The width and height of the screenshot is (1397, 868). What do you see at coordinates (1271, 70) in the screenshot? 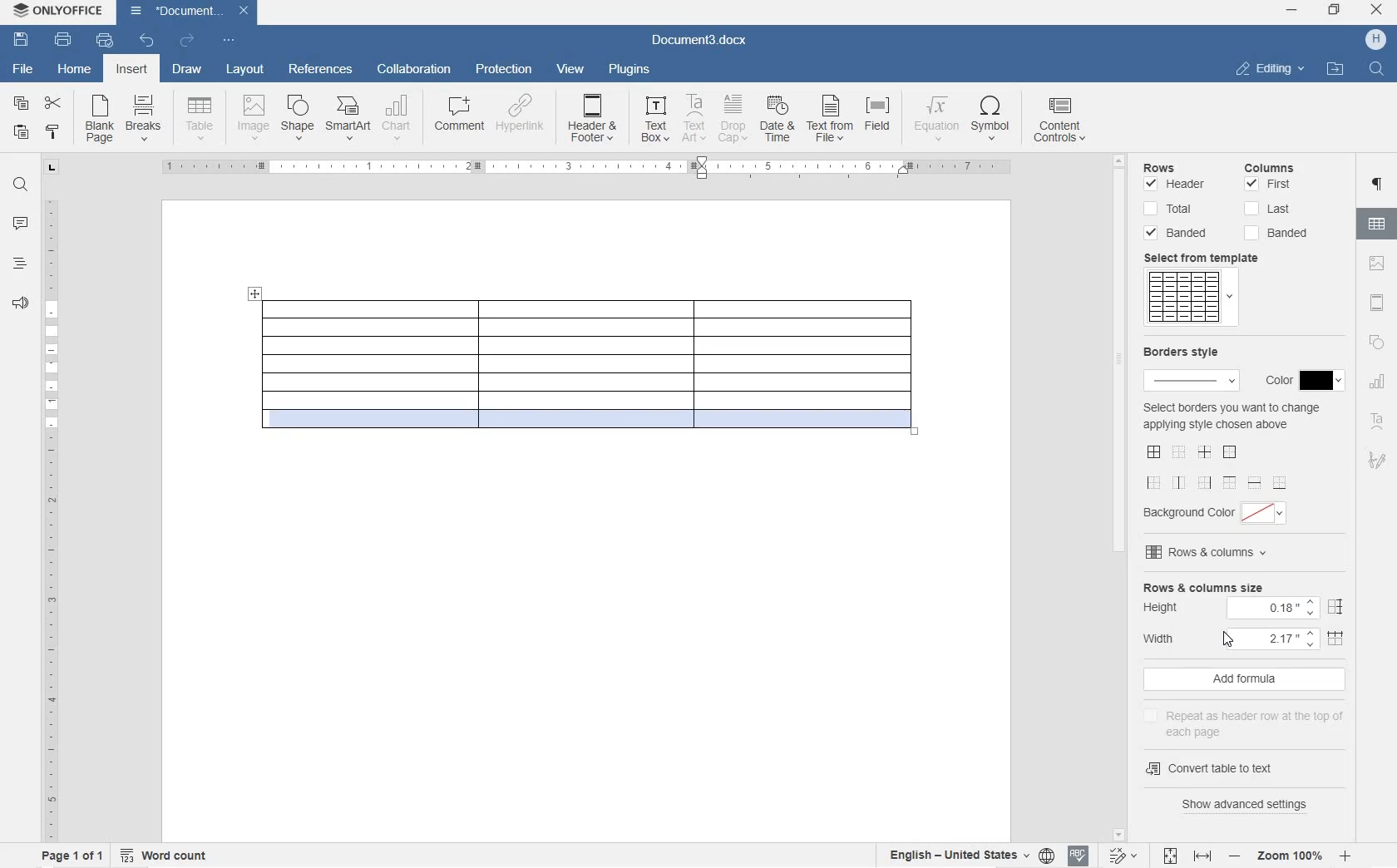
I see `EDITING` at bounding box center [1271, 70].